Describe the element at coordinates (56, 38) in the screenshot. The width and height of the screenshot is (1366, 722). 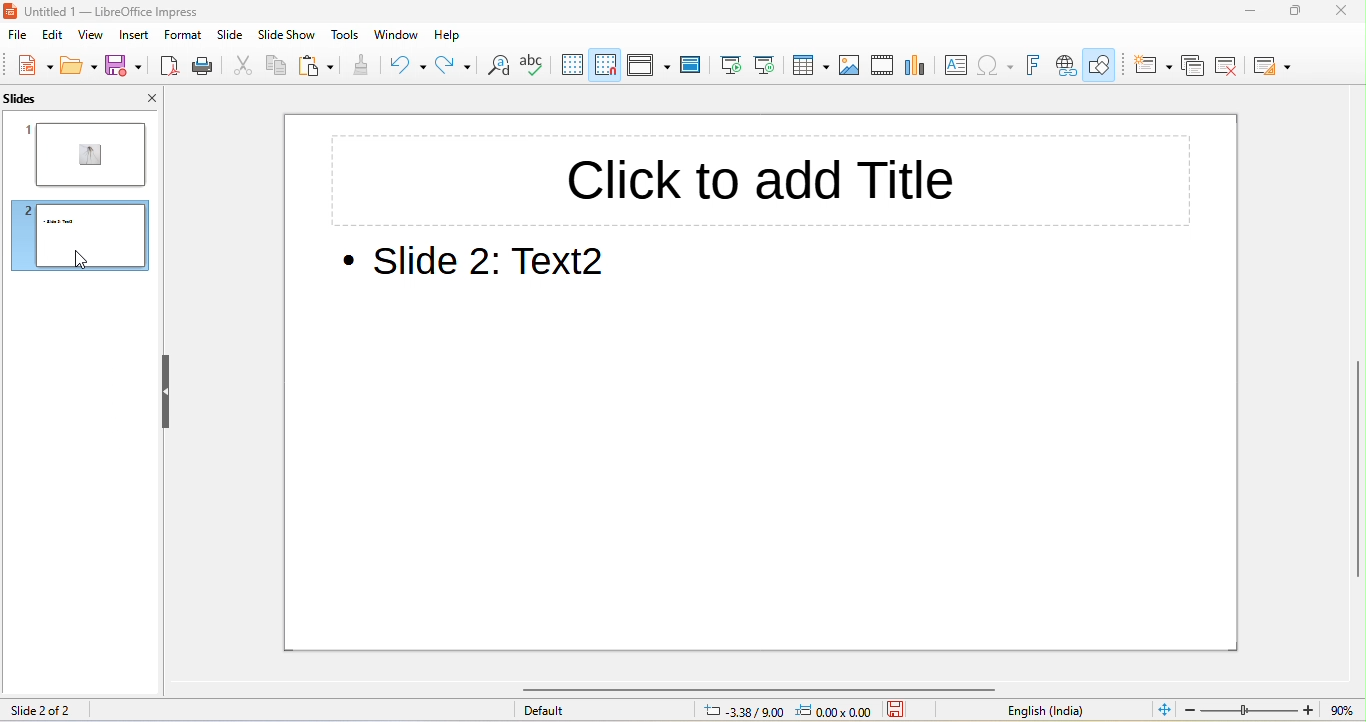
I see `edit` at that location.